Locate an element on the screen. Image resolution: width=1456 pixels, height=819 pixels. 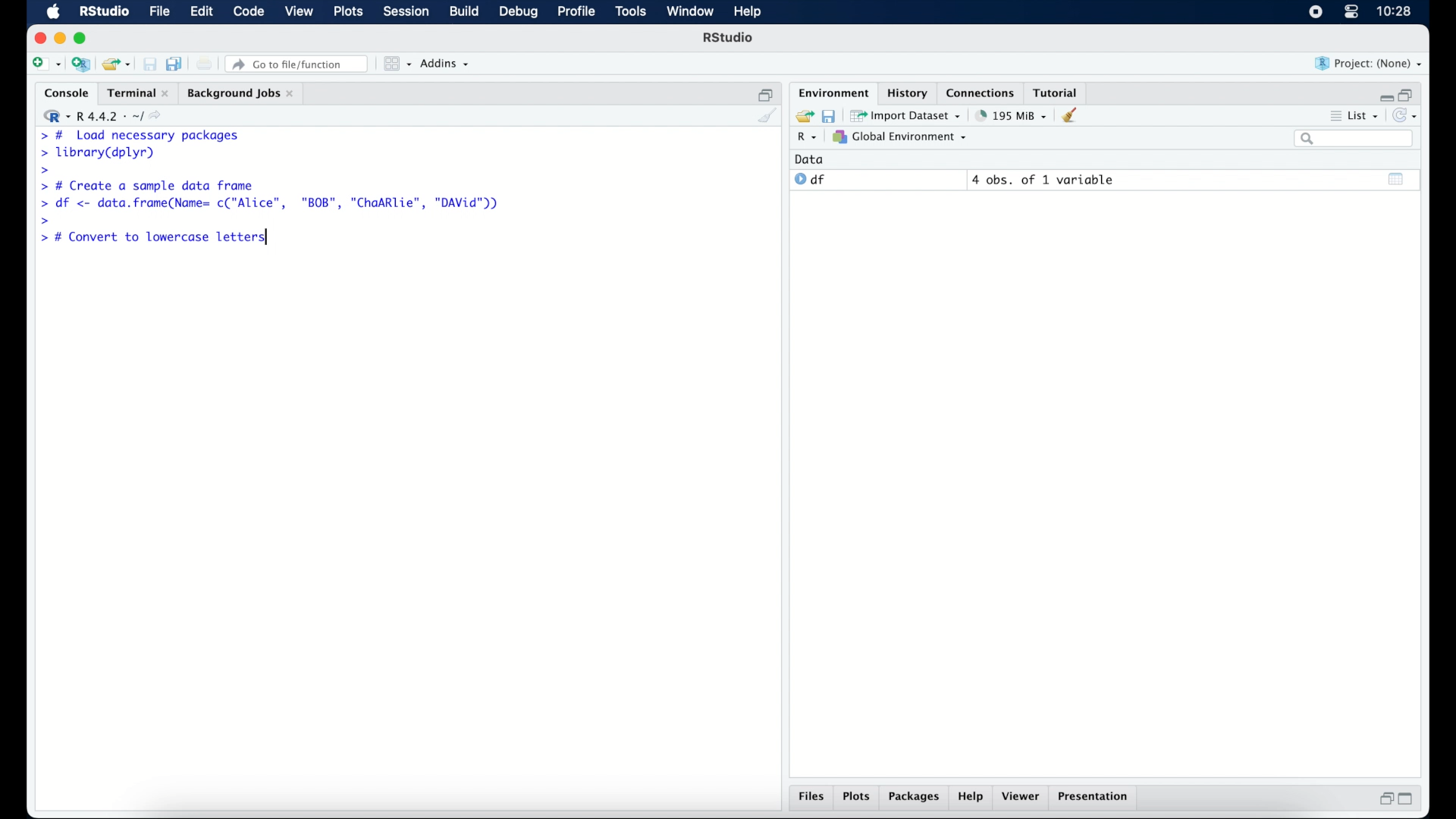
command prompt is located at coordinates (42, 171).